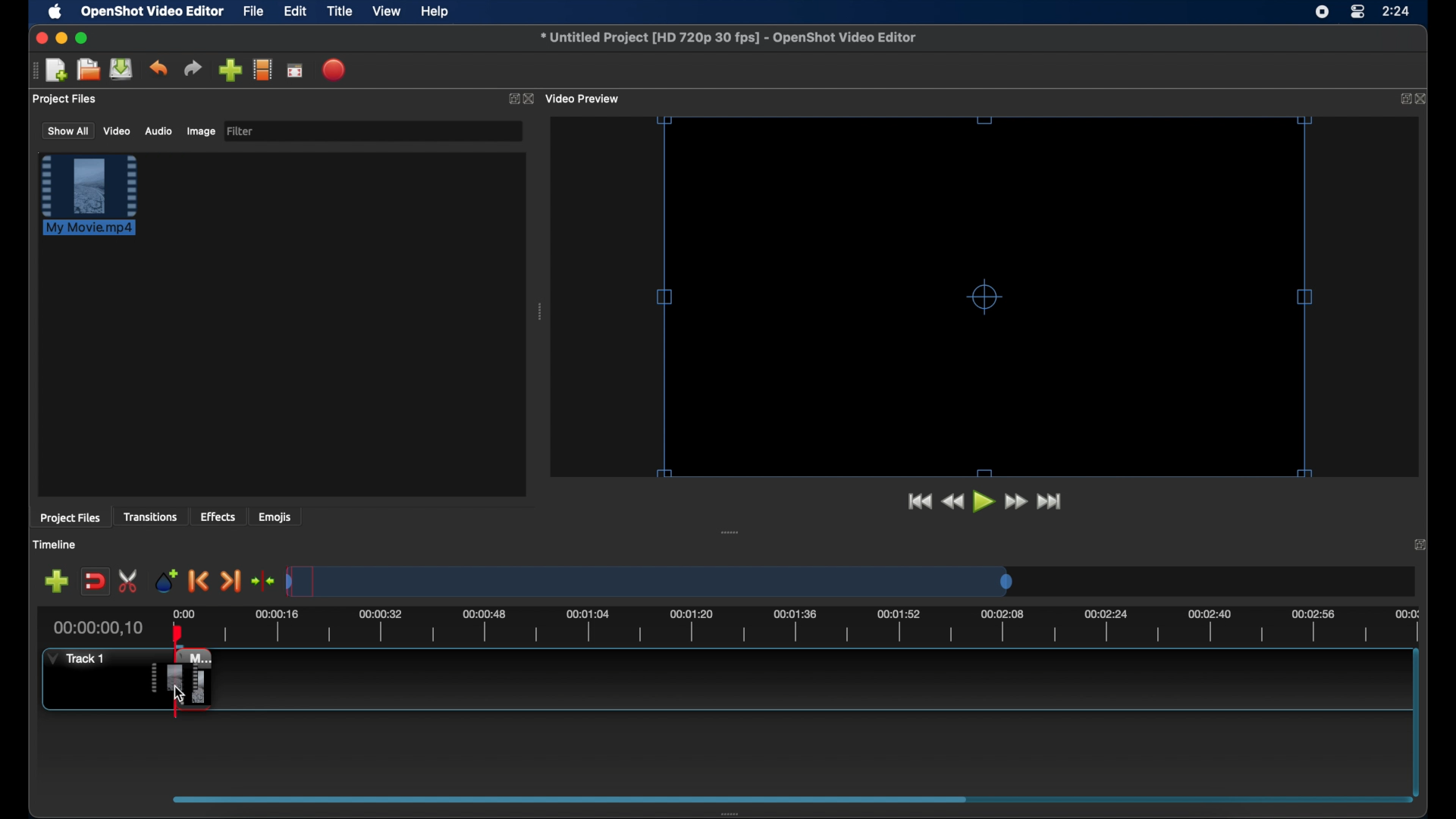  Describe the element at coordinates (179, 692) in the screenshot. I see `cursor` at that location.